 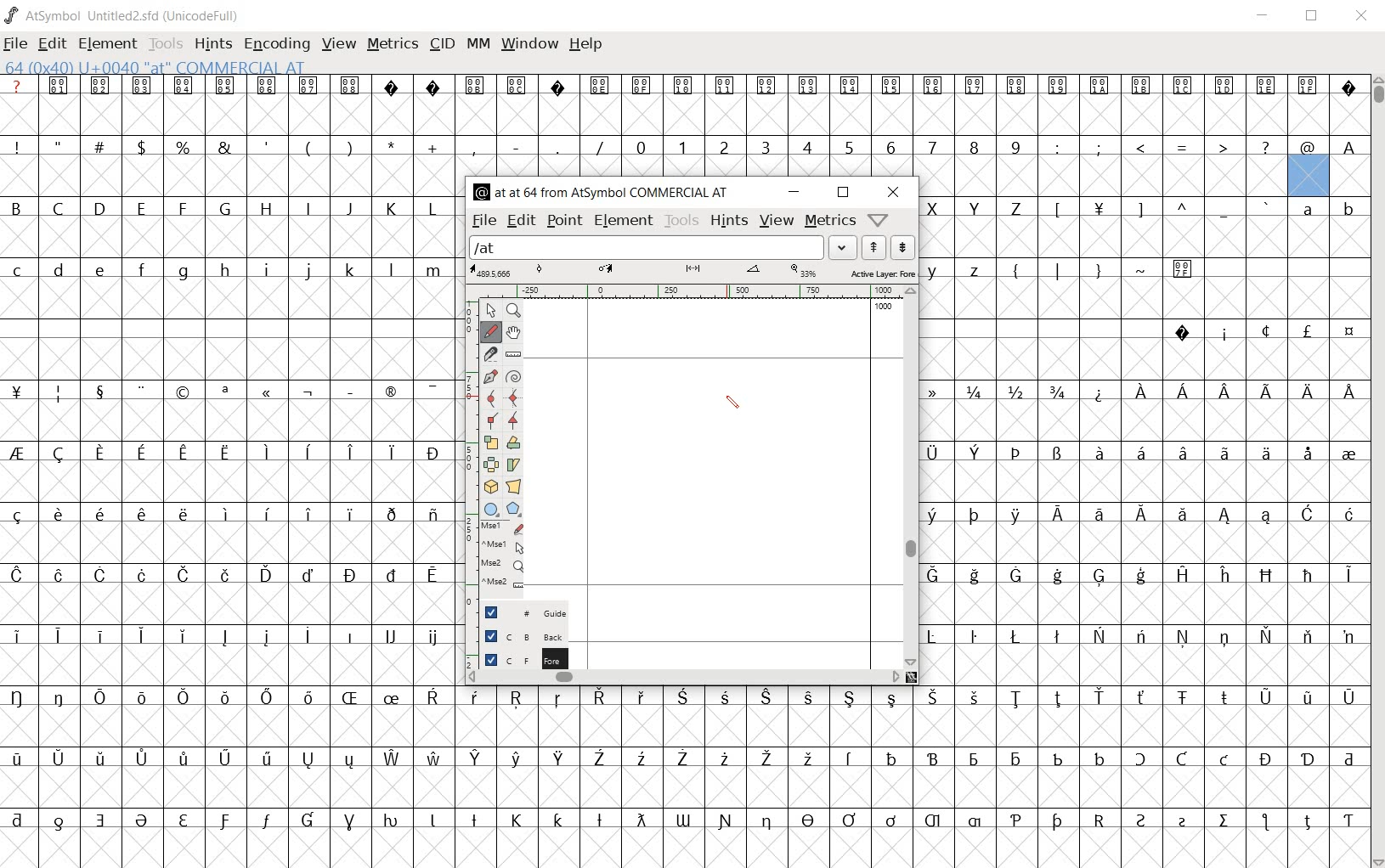 I want to click on help/window, so click(x=881, y=219).